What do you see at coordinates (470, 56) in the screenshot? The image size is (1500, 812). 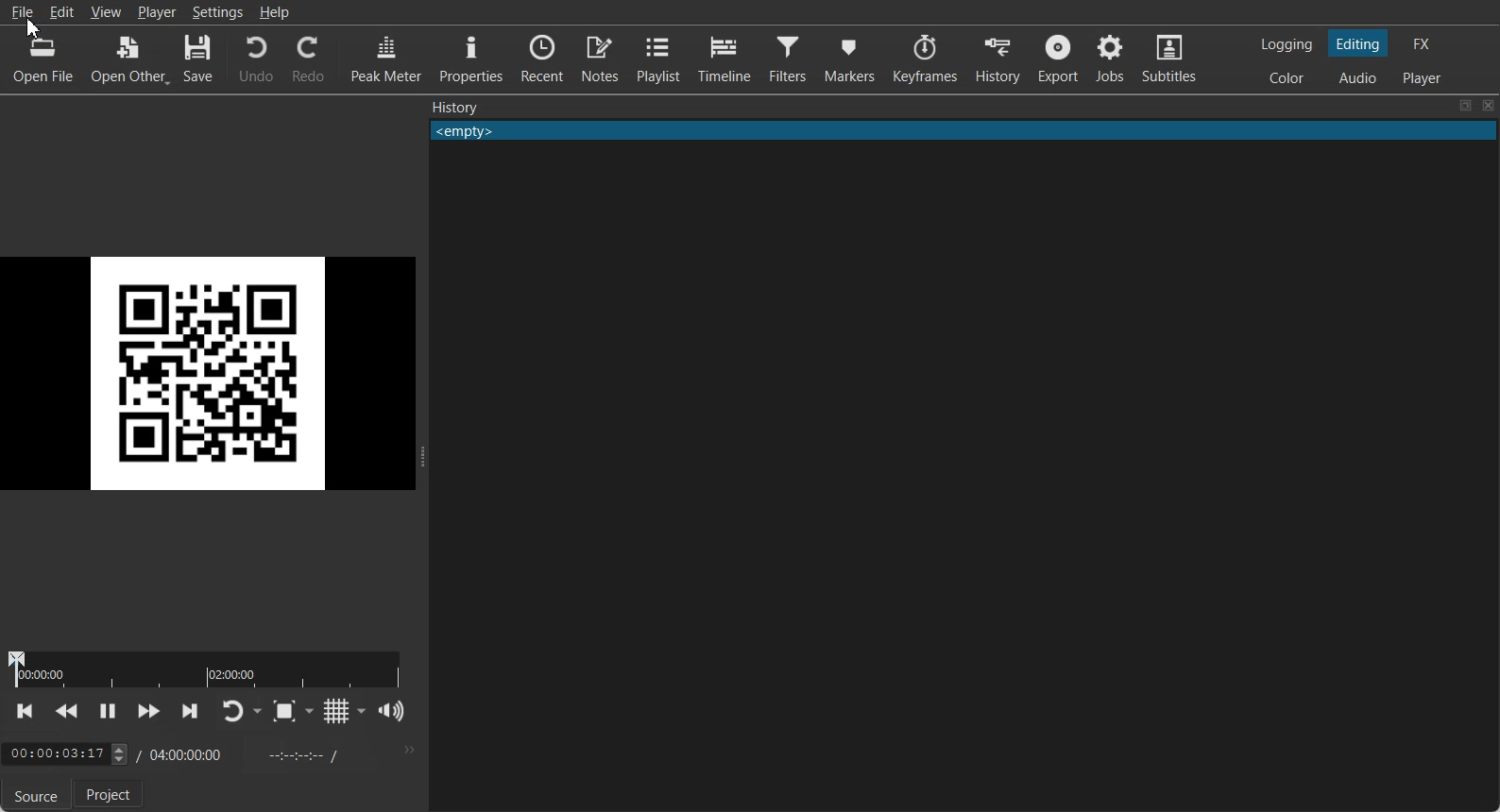 I see `Properties` at bounding box center [470, 56].